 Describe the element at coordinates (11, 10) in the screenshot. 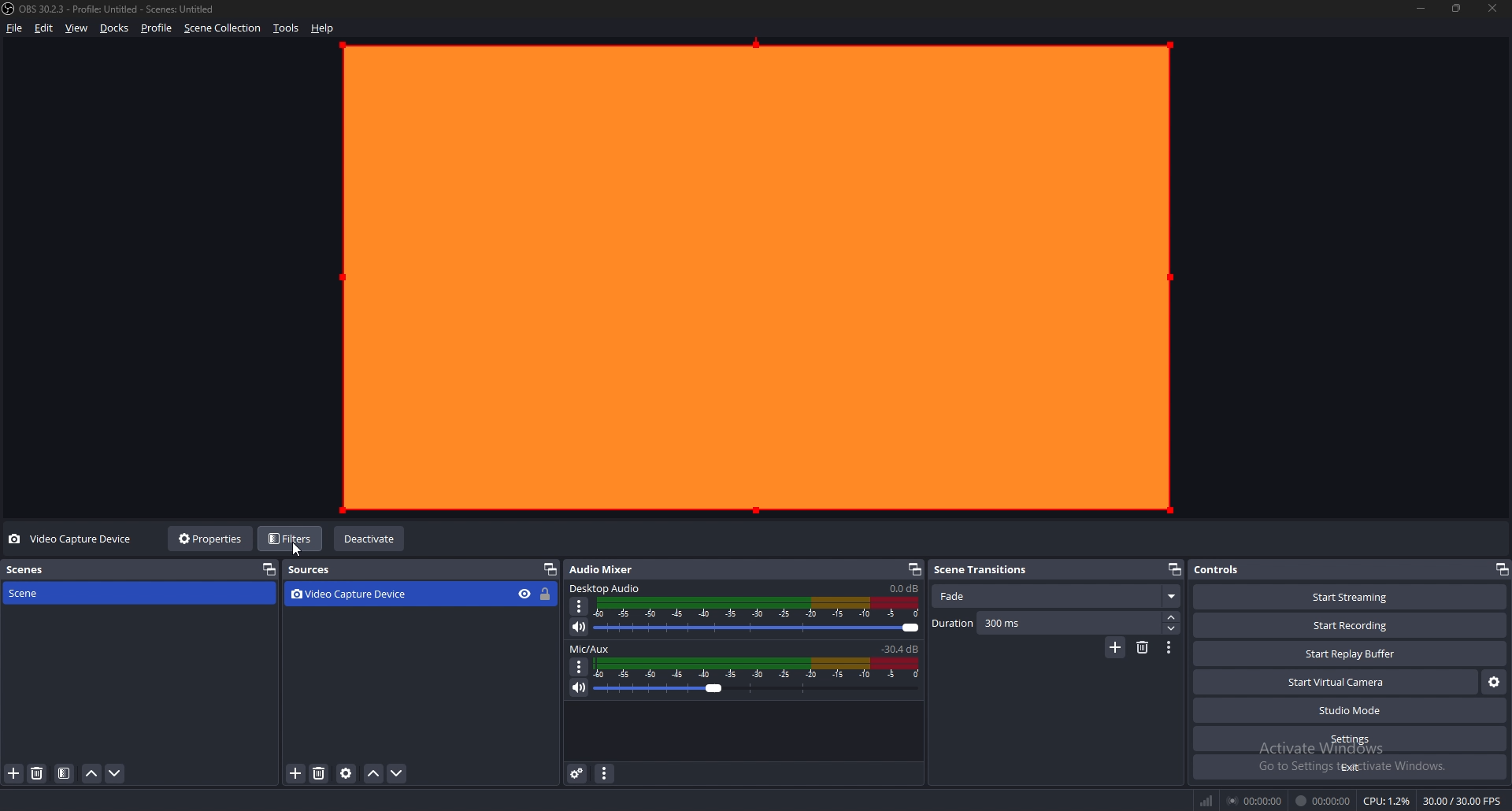

I see `obs logo` at that location.